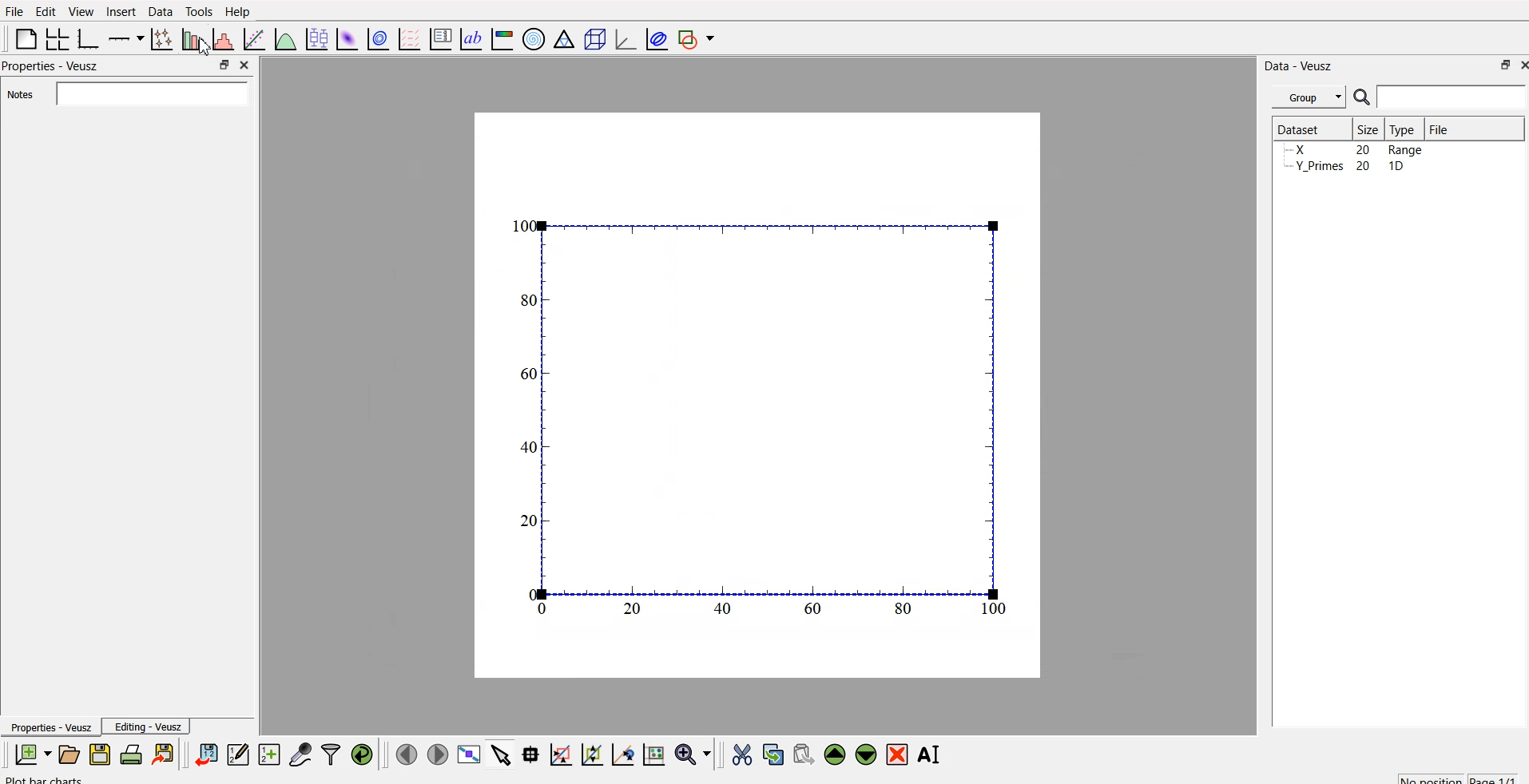  What do you see at coordinates (404, 754) in the screenshot?
I see `move to previous page` at bounding box center [404, 754].